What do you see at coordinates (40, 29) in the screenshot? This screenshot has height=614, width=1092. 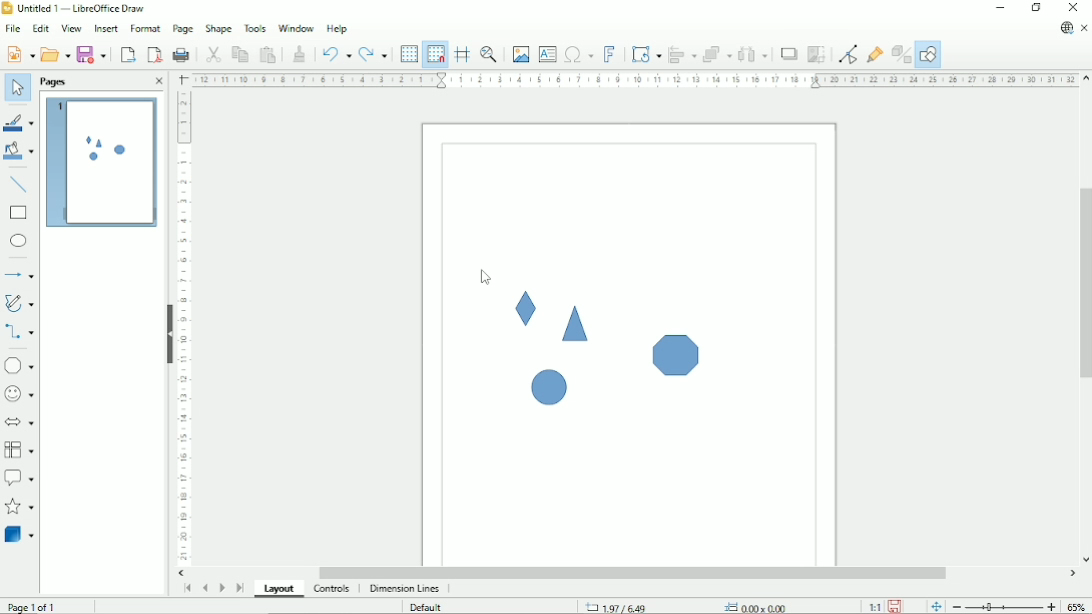 I see `Edit` at bounding box center [40, 29].